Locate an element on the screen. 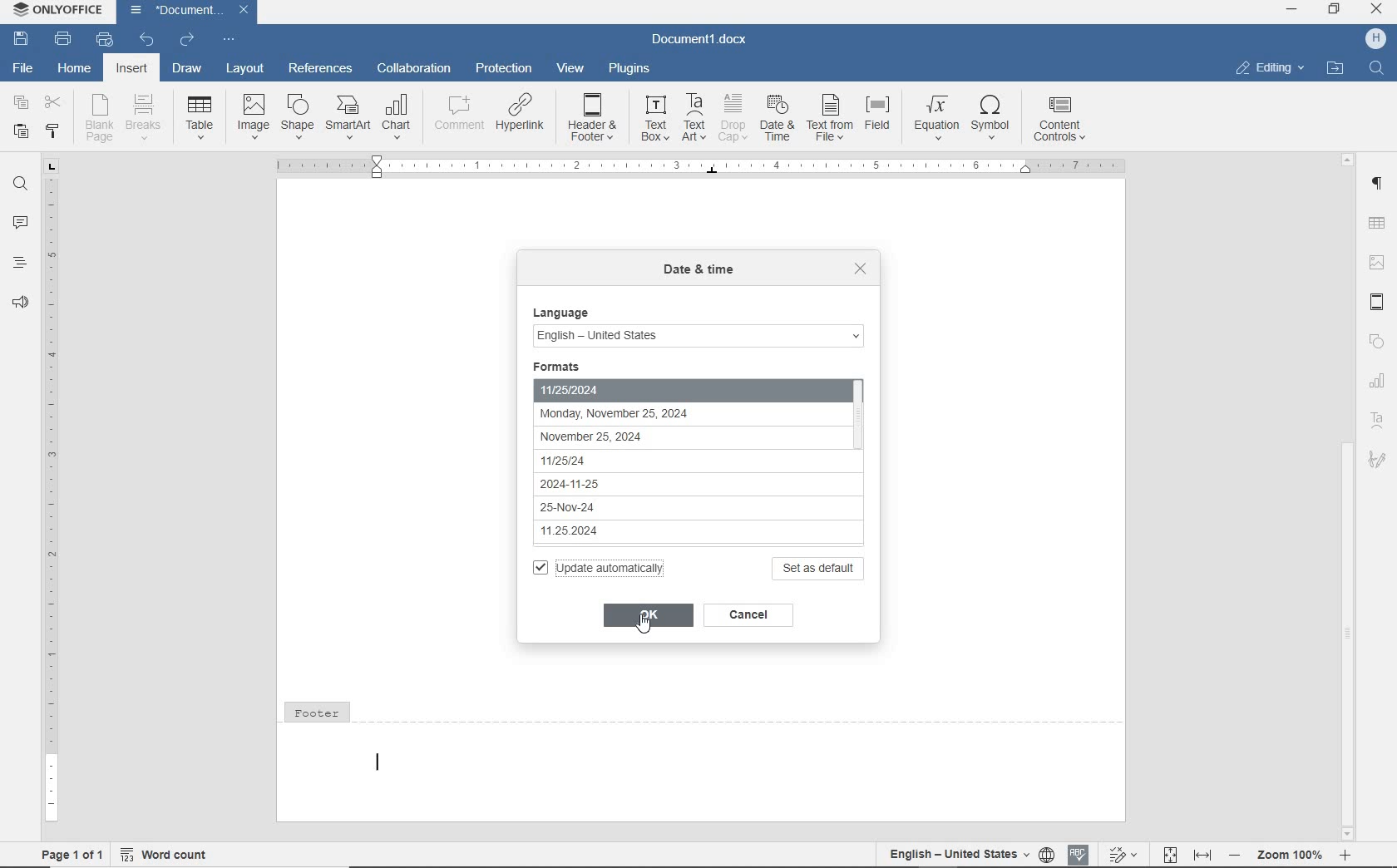 This screenshot has height=868, width=1397. references is located at coordinates (321, 67).